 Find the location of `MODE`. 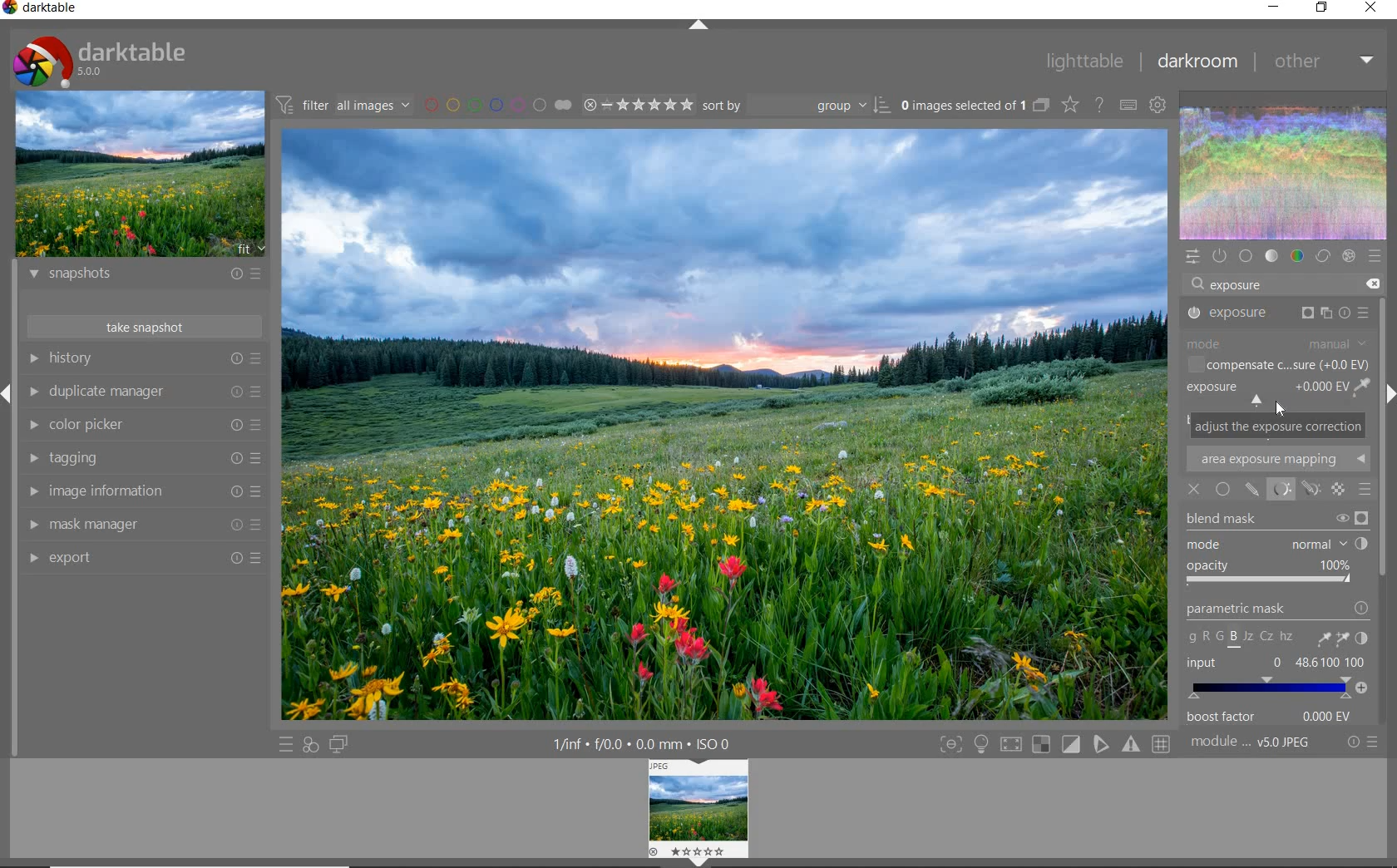

MODE is located at coordinates (1279, 342).